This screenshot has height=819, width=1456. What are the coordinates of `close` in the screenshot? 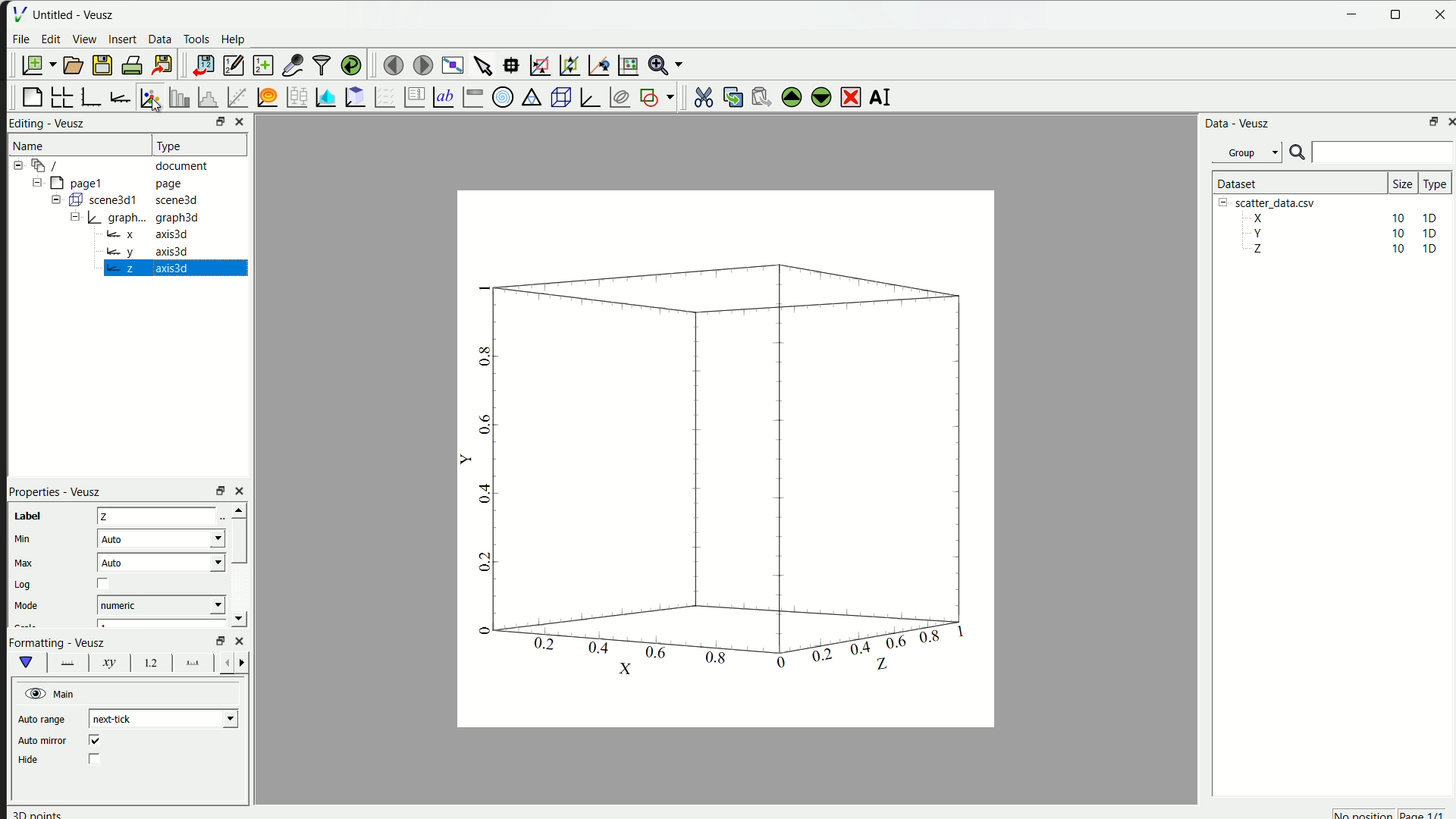 It's located at (240, 640).